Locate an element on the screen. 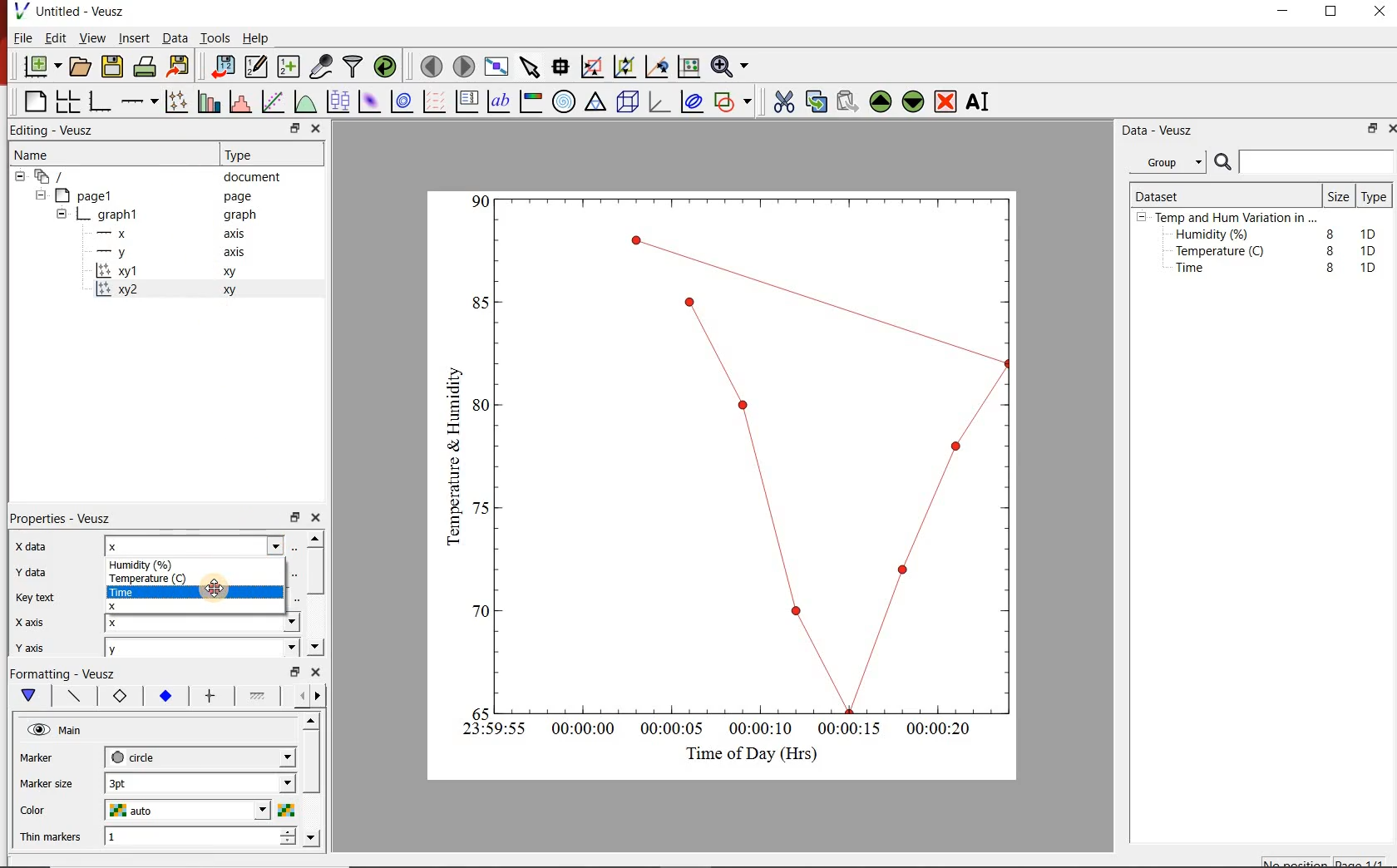 Image resolution: width=1397 pixels, height=868 pixels. scroll bar is located at coordinates (318, 591).